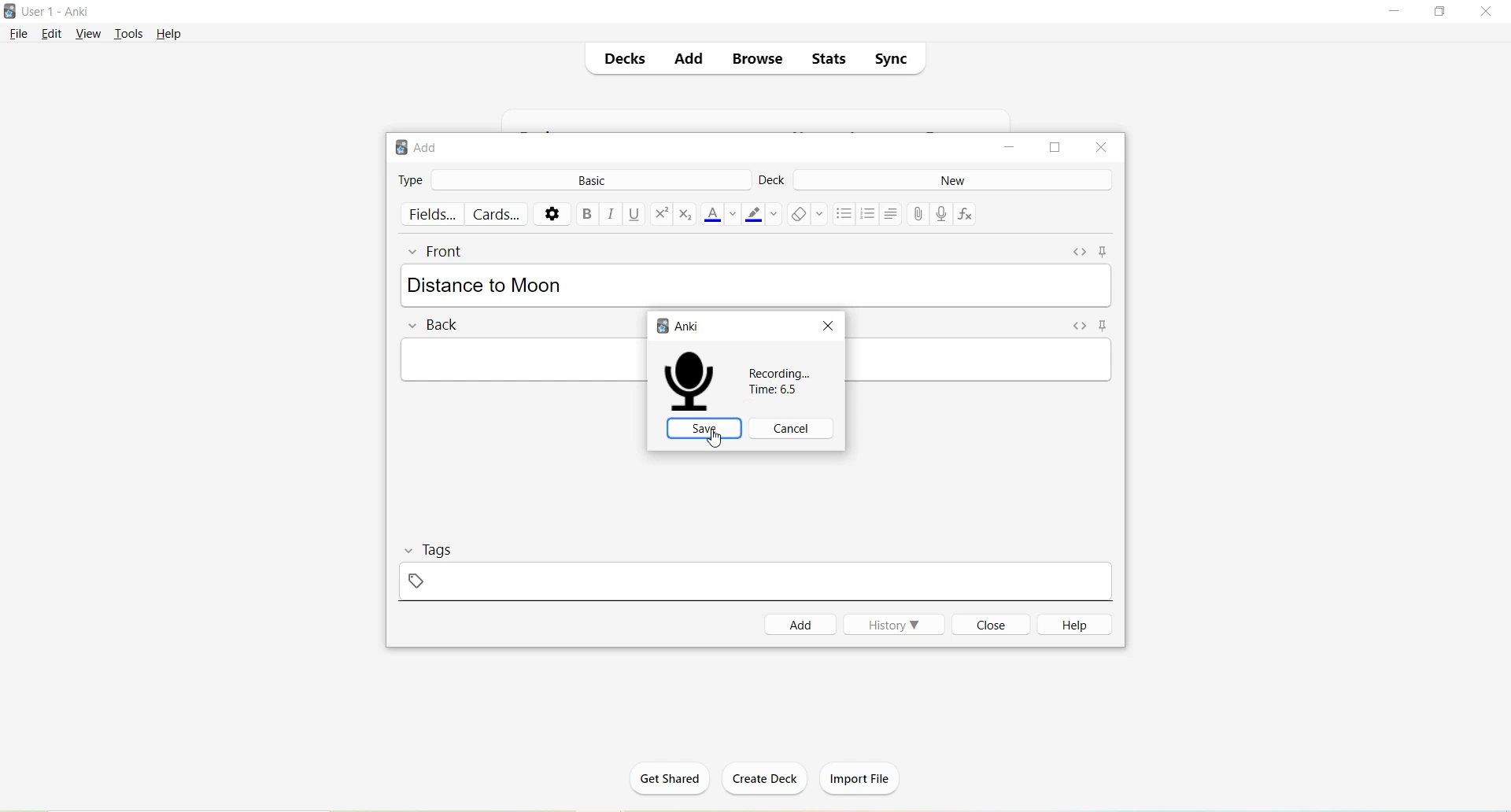 The image size is (1511, 812). I want to click on Fields.., so click(433, 214).